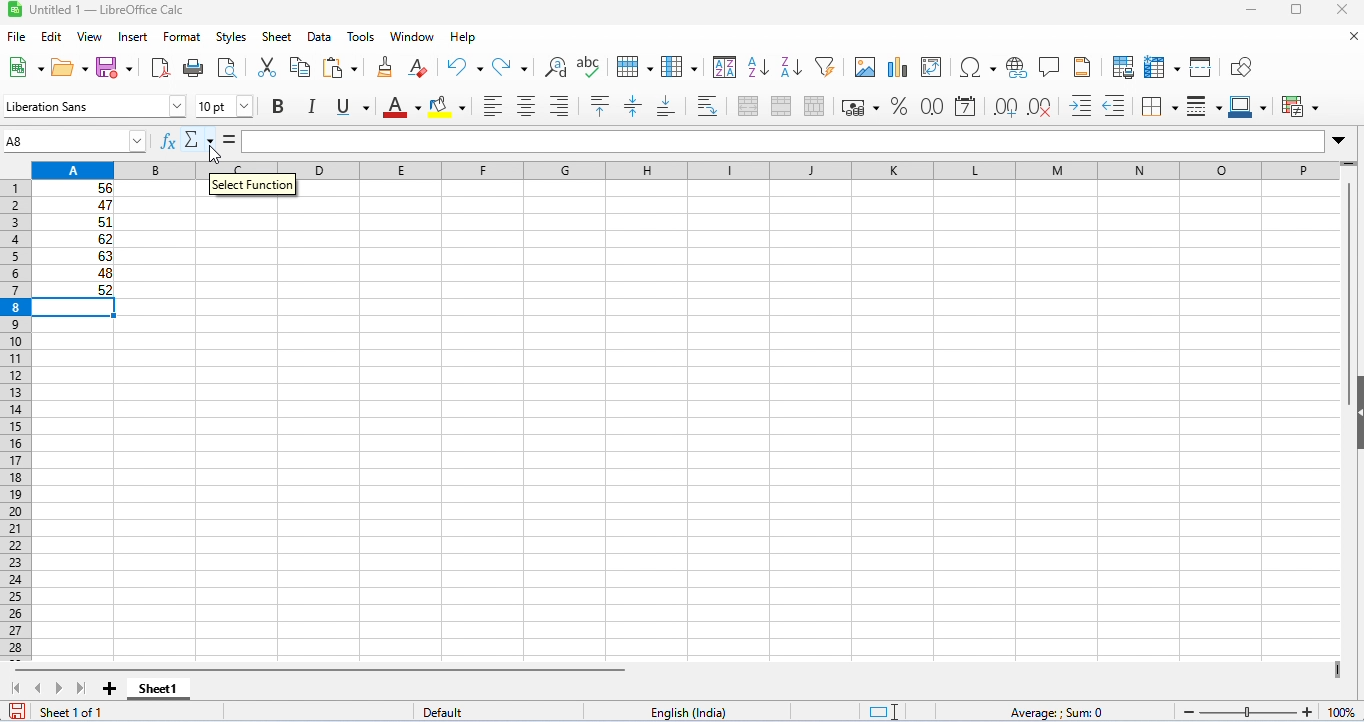 Image resolution: width=1364 pixels, height=722 pixels. I want to click on sort, so click(725, 66).